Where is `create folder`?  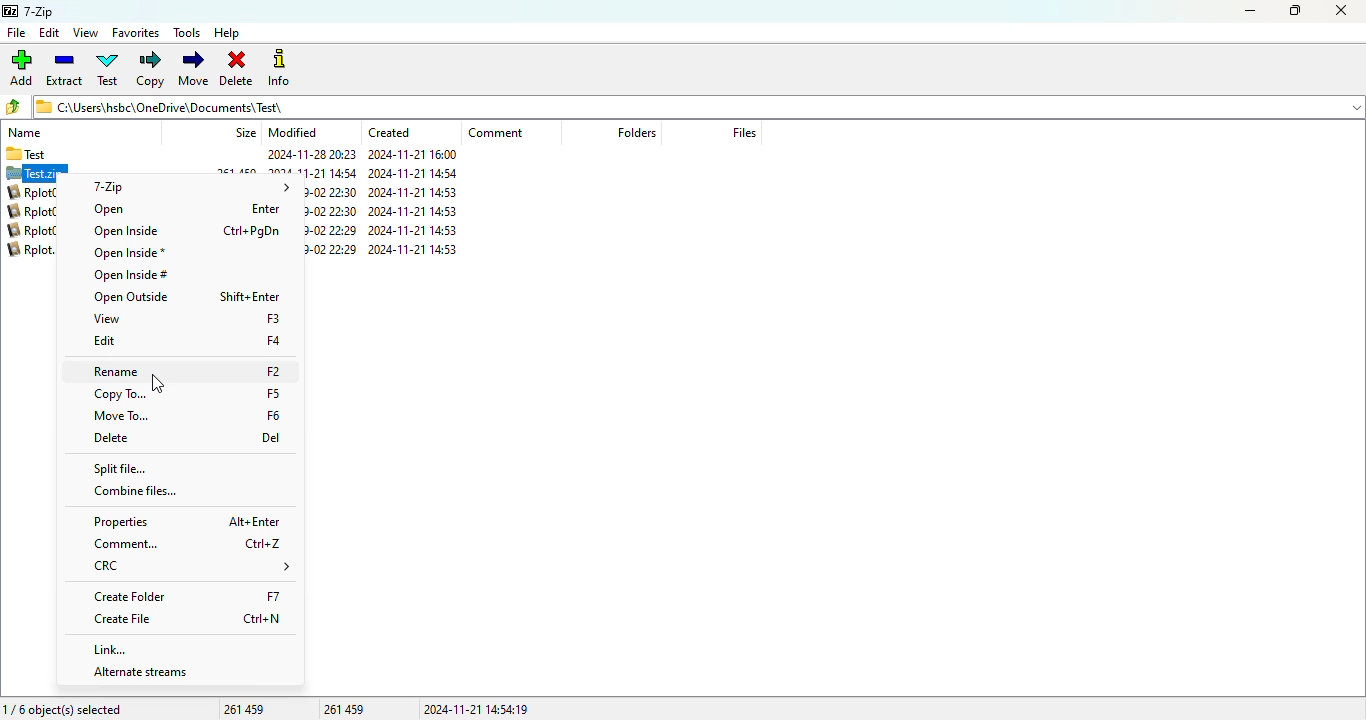 create folder is located at coordinates (129, 596).